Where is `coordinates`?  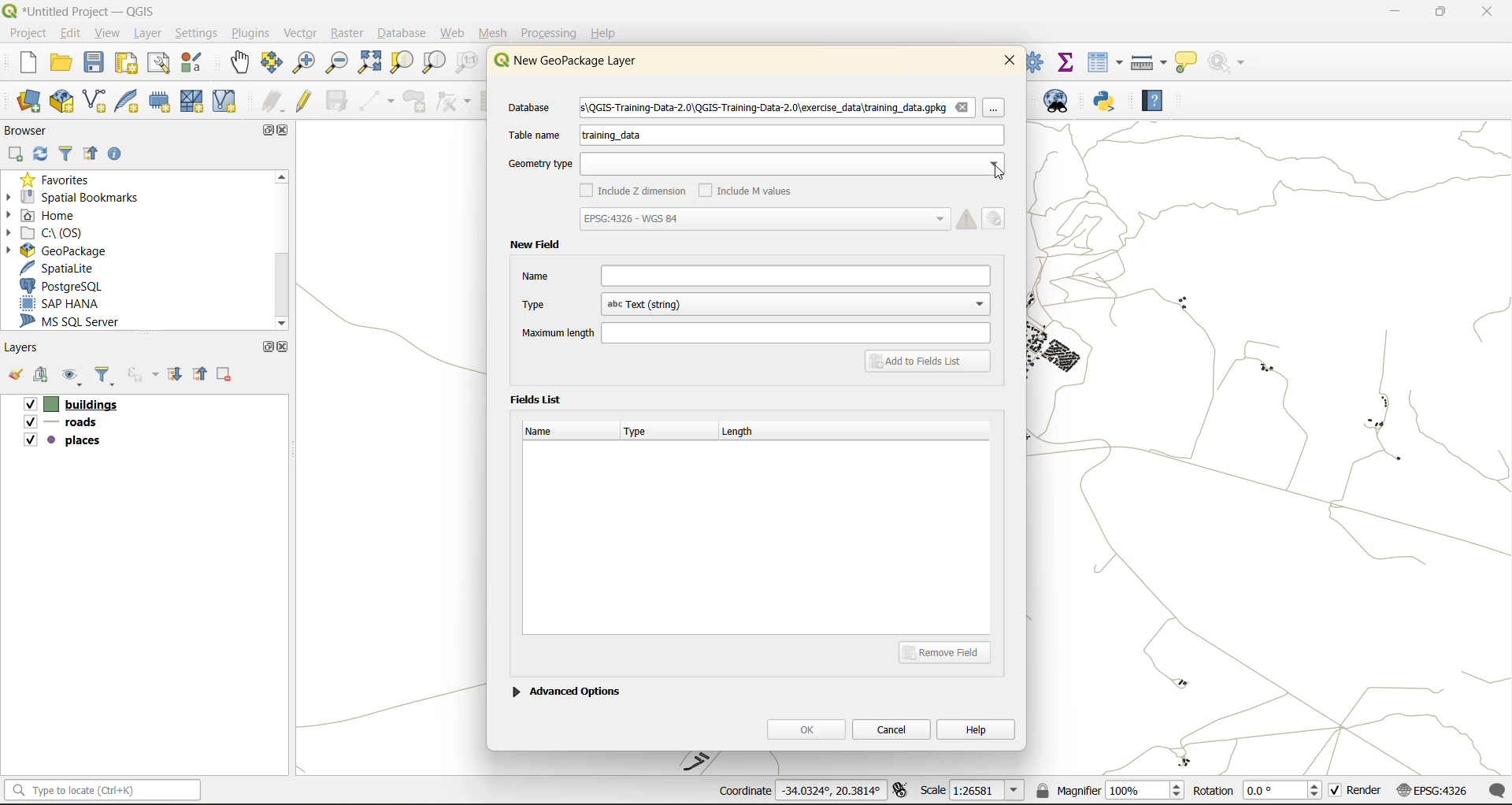
coordinates is located at coordinates (799, 792).